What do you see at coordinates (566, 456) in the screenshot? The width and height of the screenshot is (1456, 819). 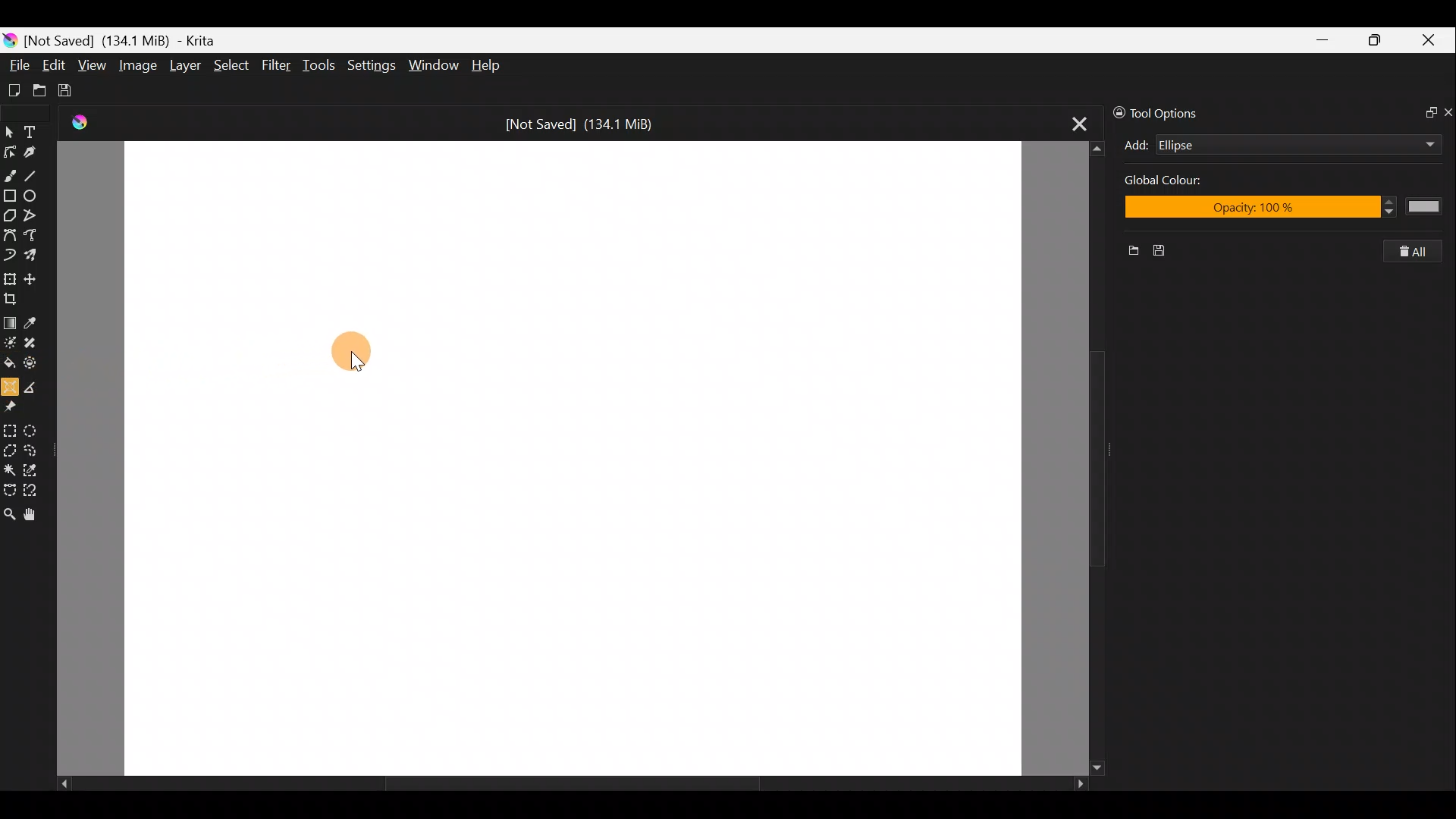 I see `Canvas` at bounding box center [566, 456].